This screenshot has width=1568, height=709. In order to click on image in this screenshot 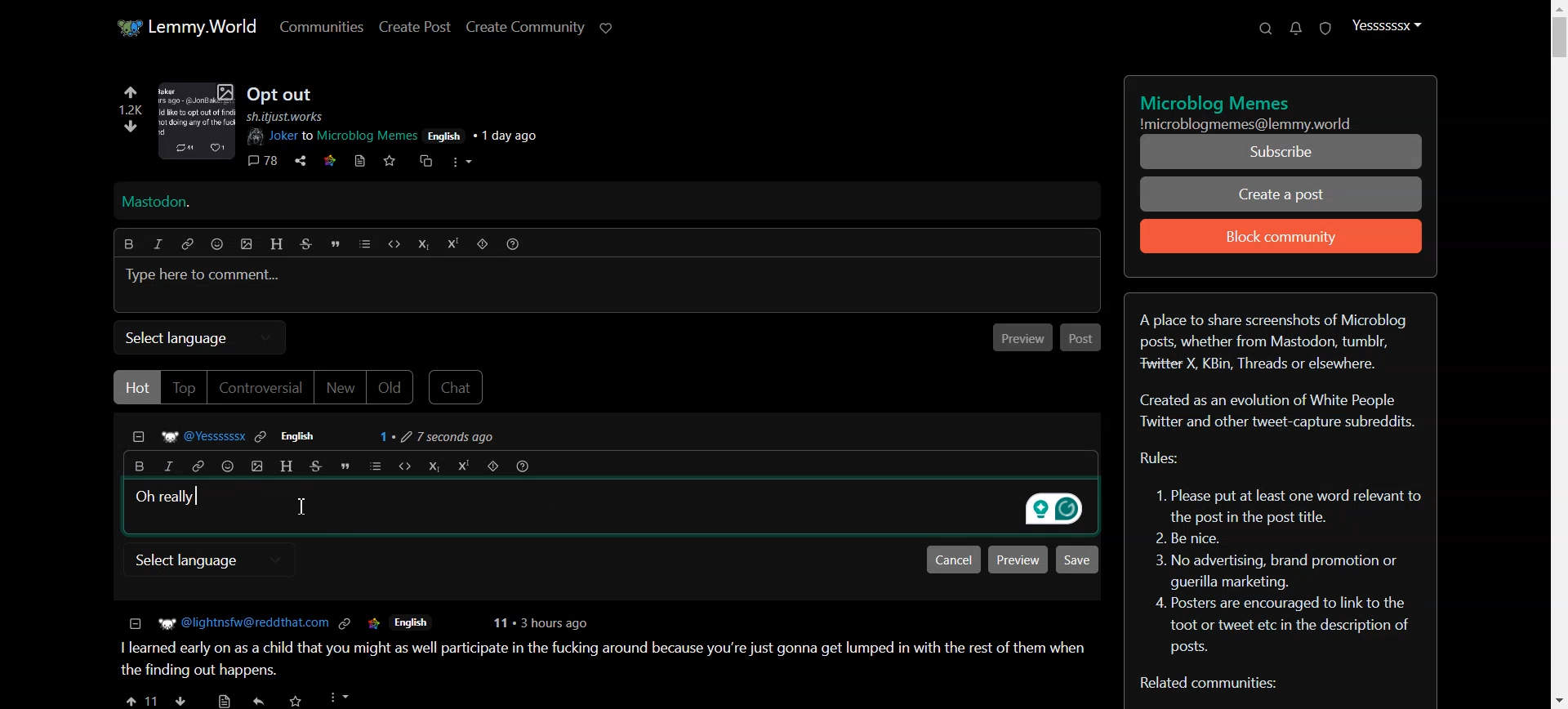, I will do `click(199, 121)`.